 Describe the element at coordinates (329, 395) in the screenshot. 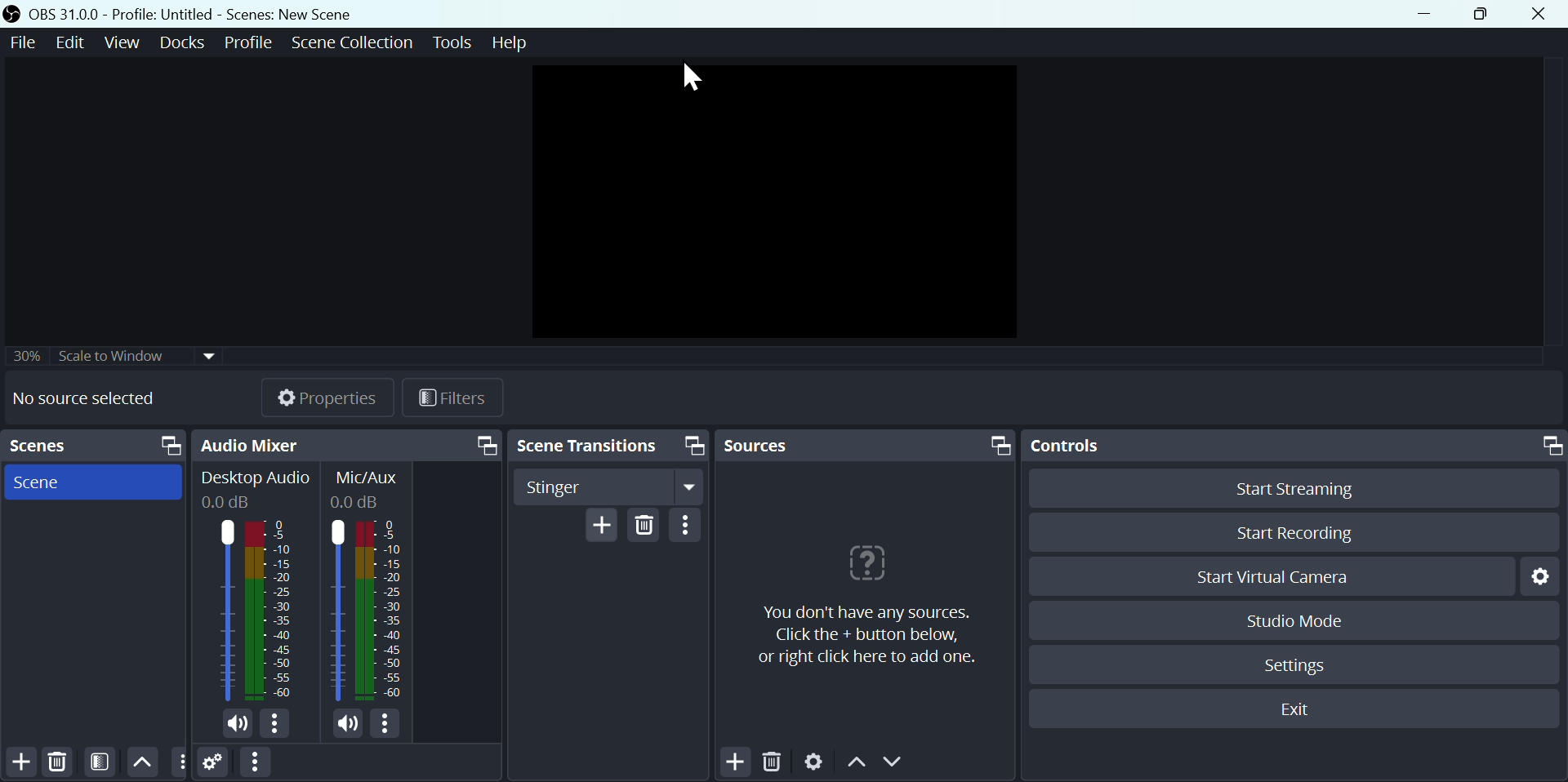

I see `Properties` at that location.